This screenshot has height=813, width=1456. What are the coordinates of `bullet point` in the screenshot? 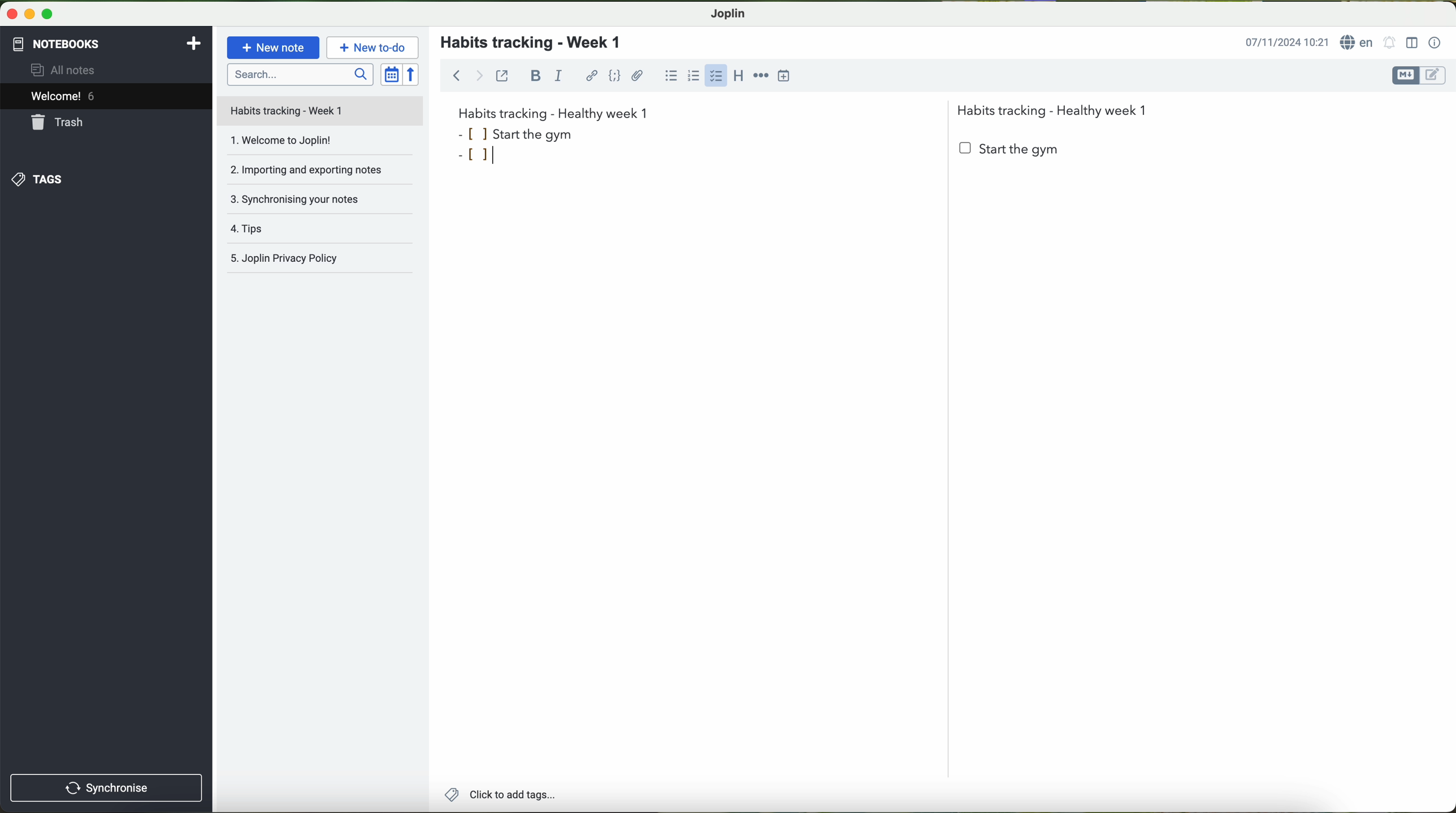 It's located at (476, 158).